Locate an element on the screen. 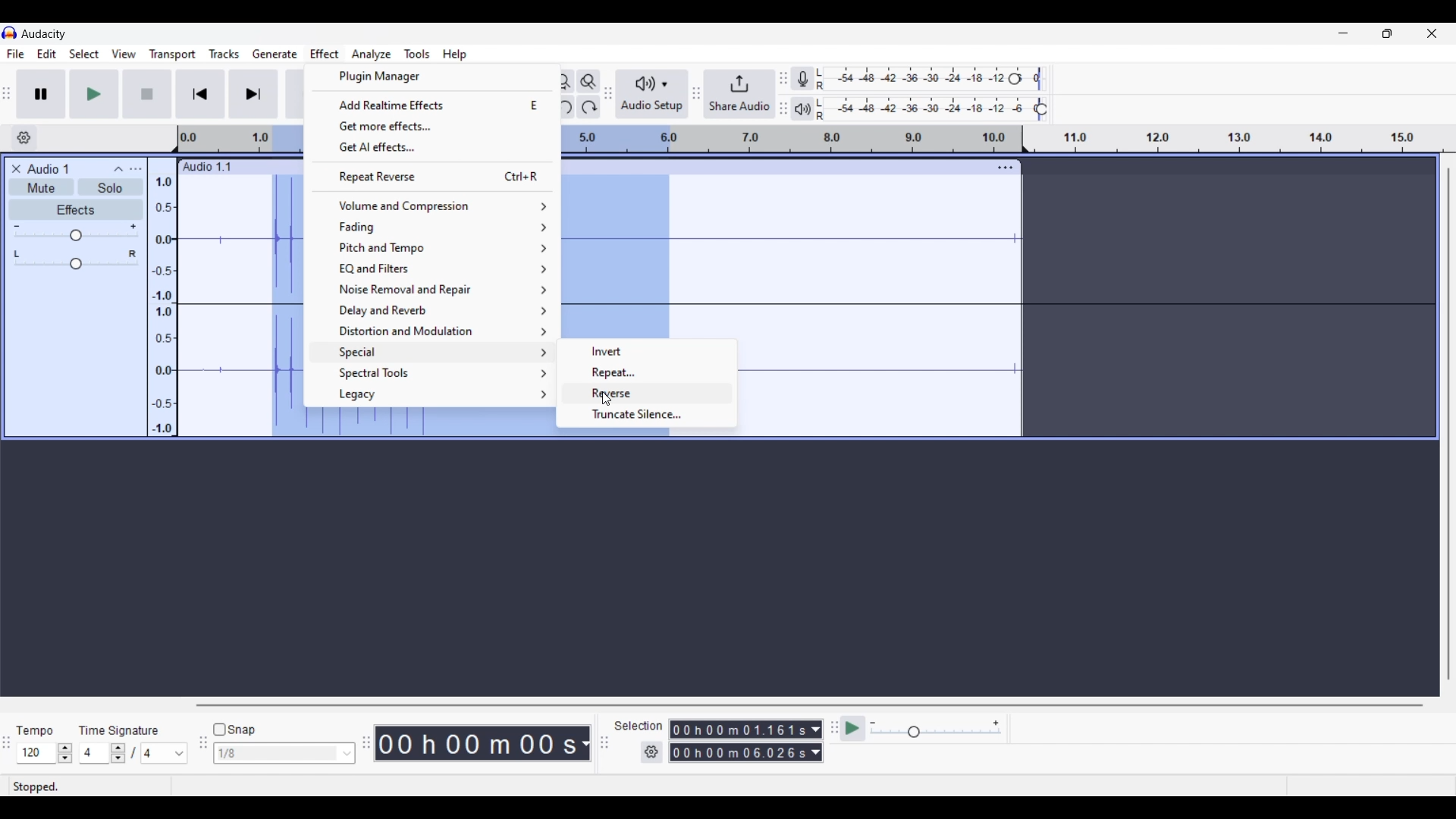 The width and height of the screenshot is (1456, 819). Scale to measure duration of recording is located at coordinates (1246, 139).